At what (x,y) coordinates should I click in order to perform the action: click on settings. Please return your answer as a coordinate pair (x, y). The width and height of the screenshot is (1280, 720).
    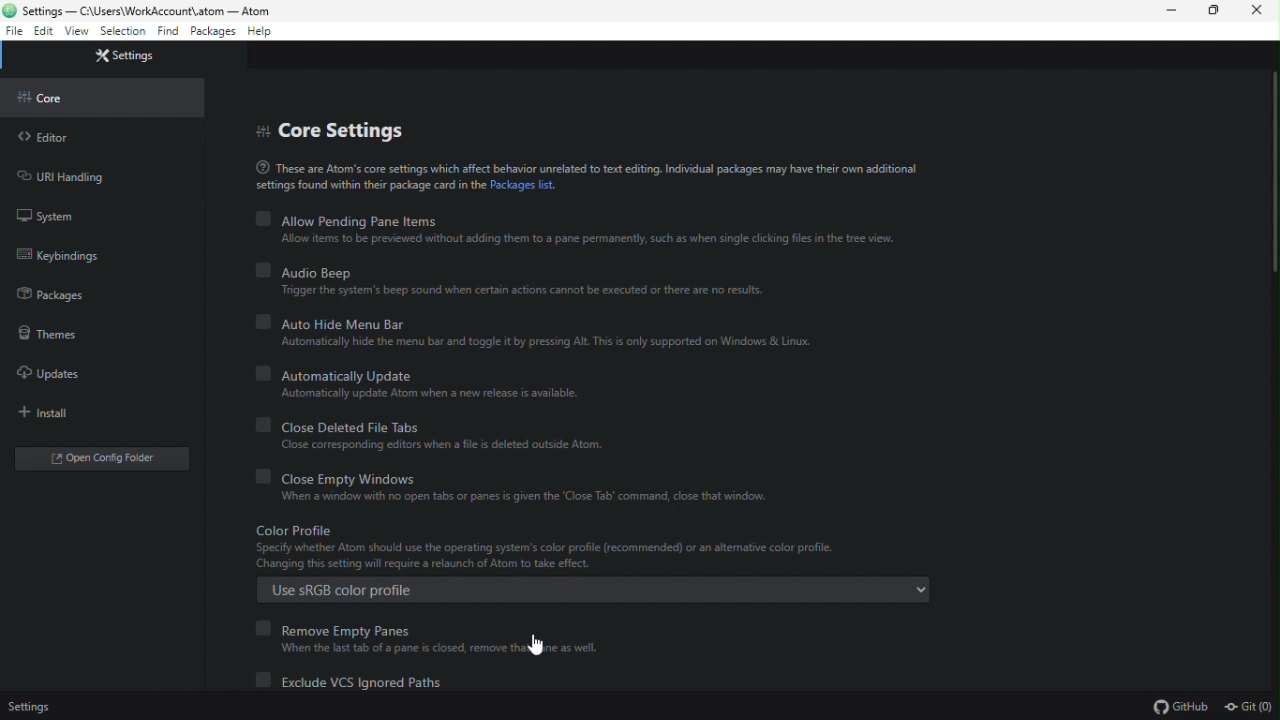
    Looking at the image, I should click on (131, 58).